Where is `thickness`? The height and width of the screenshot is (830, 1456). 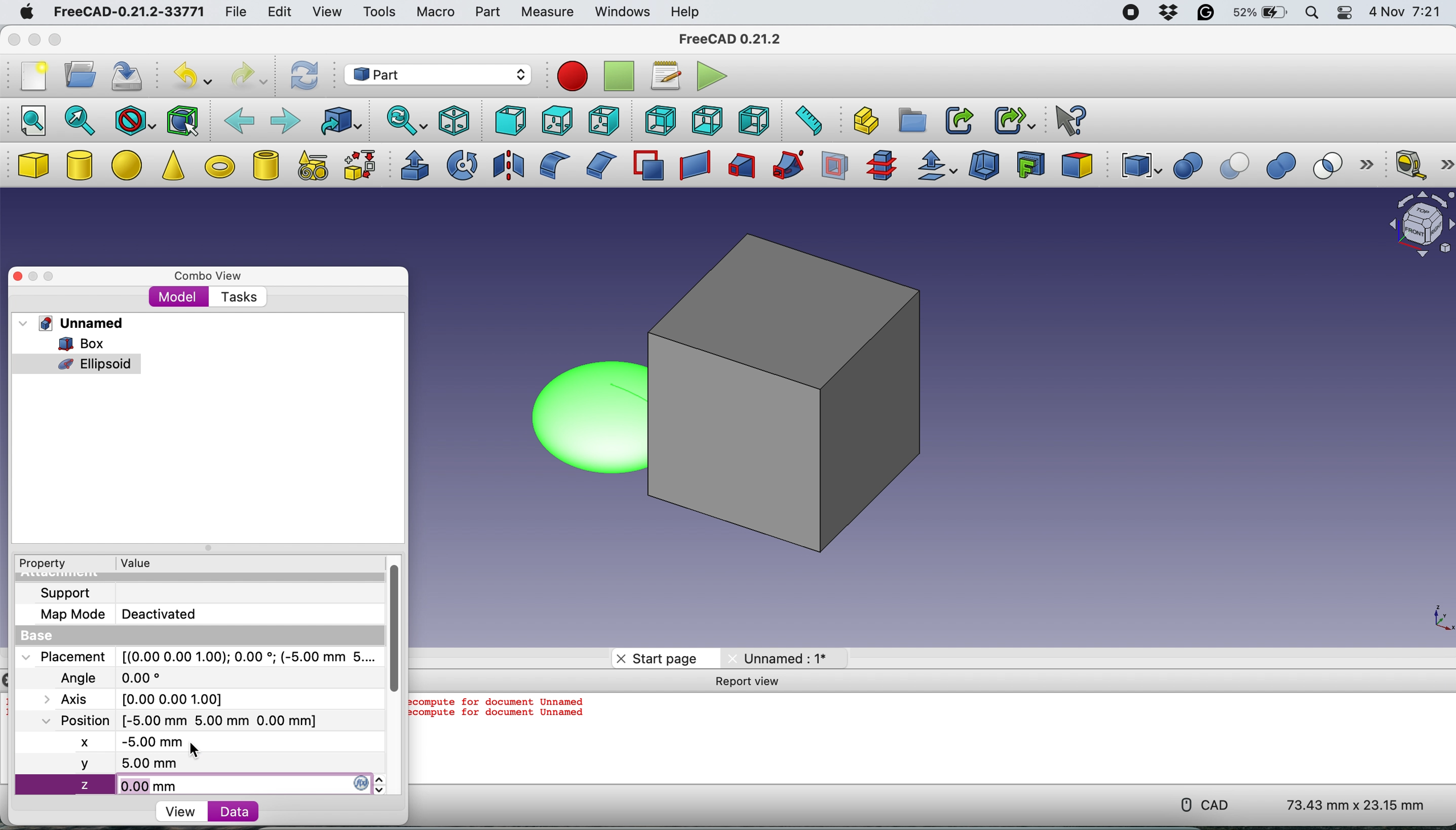
thickness is located at coordinates (985, 166).